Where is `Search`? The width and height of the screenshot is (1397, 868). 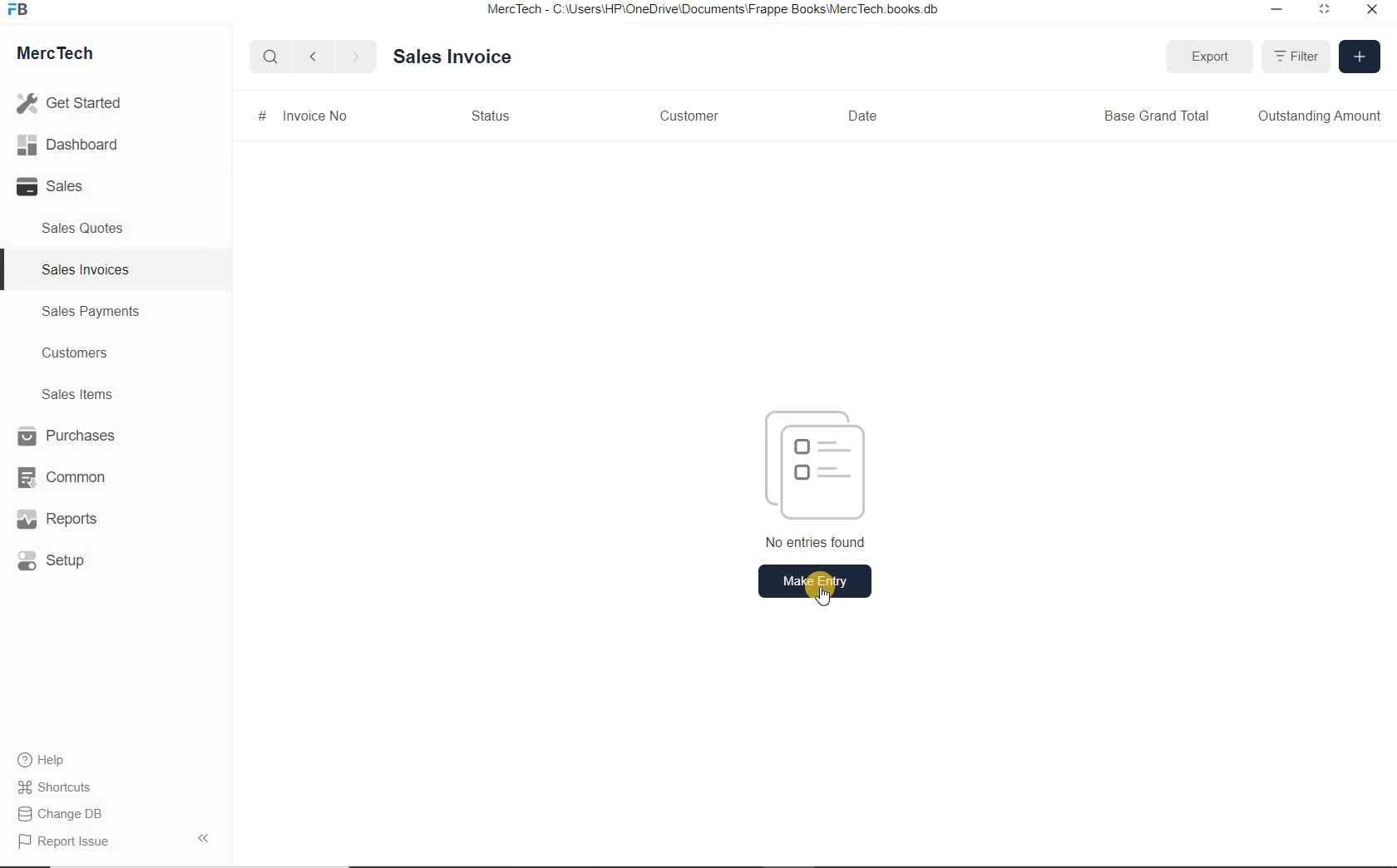
Search is located at coordinates (272, 57).